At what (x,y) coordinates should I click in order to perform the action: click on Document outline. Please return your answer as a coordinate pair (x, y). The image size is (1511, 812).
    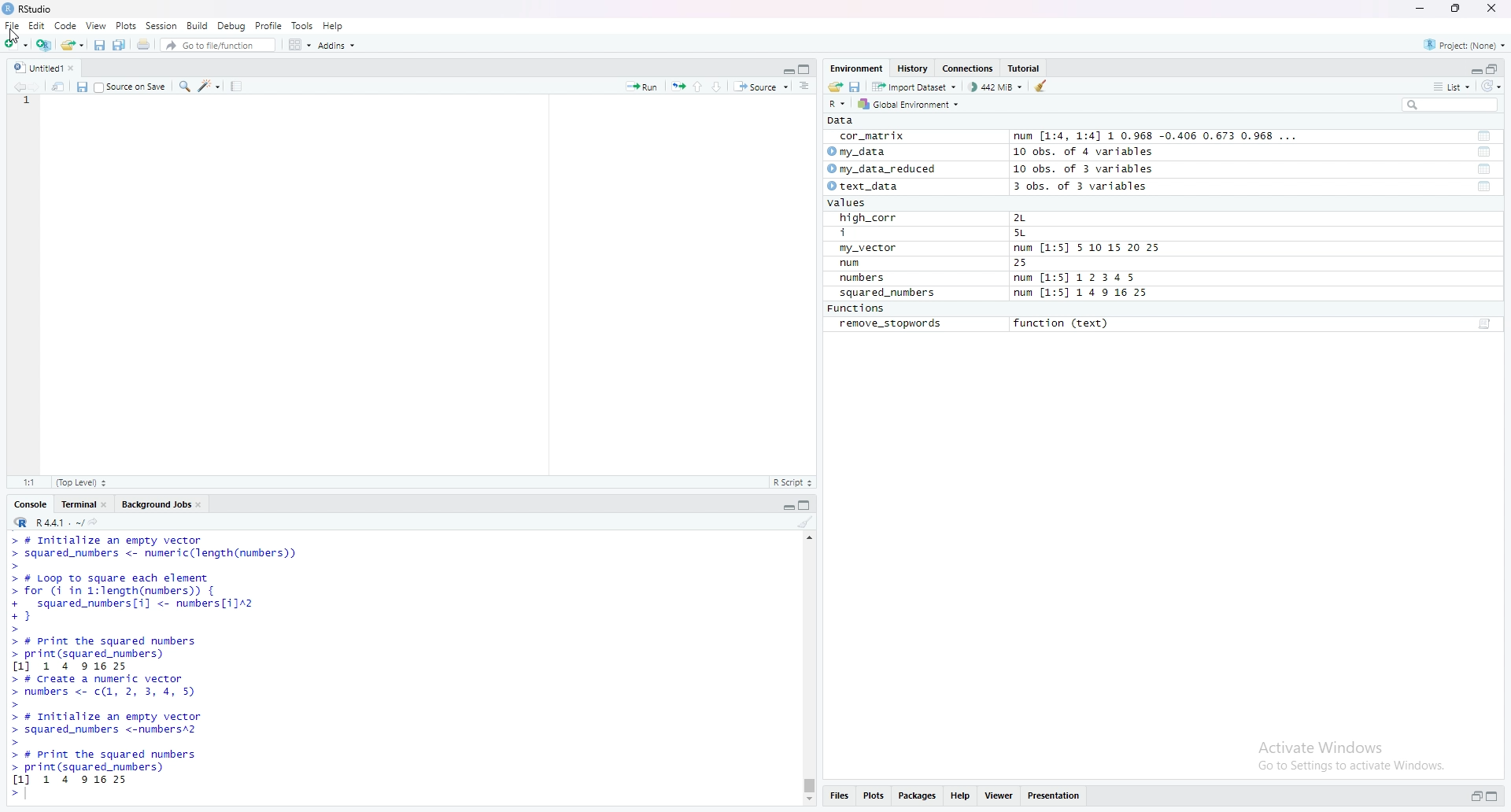
    Looking at the image, I should click on (806, 87).